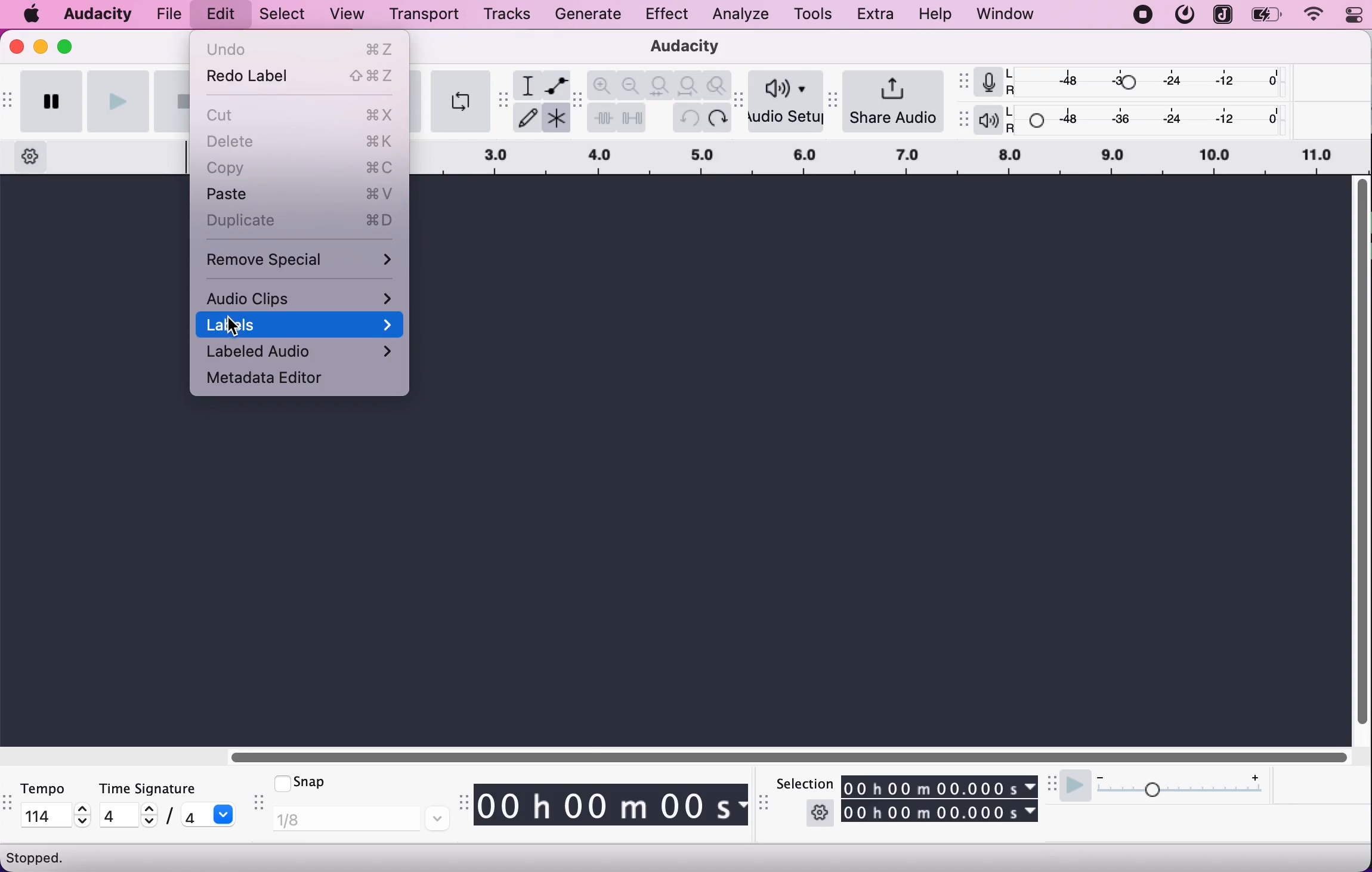  What do you see at coordinates (799, 756) in the screenshot?
I see `horizontal slider` at bounding box center [799, 756].